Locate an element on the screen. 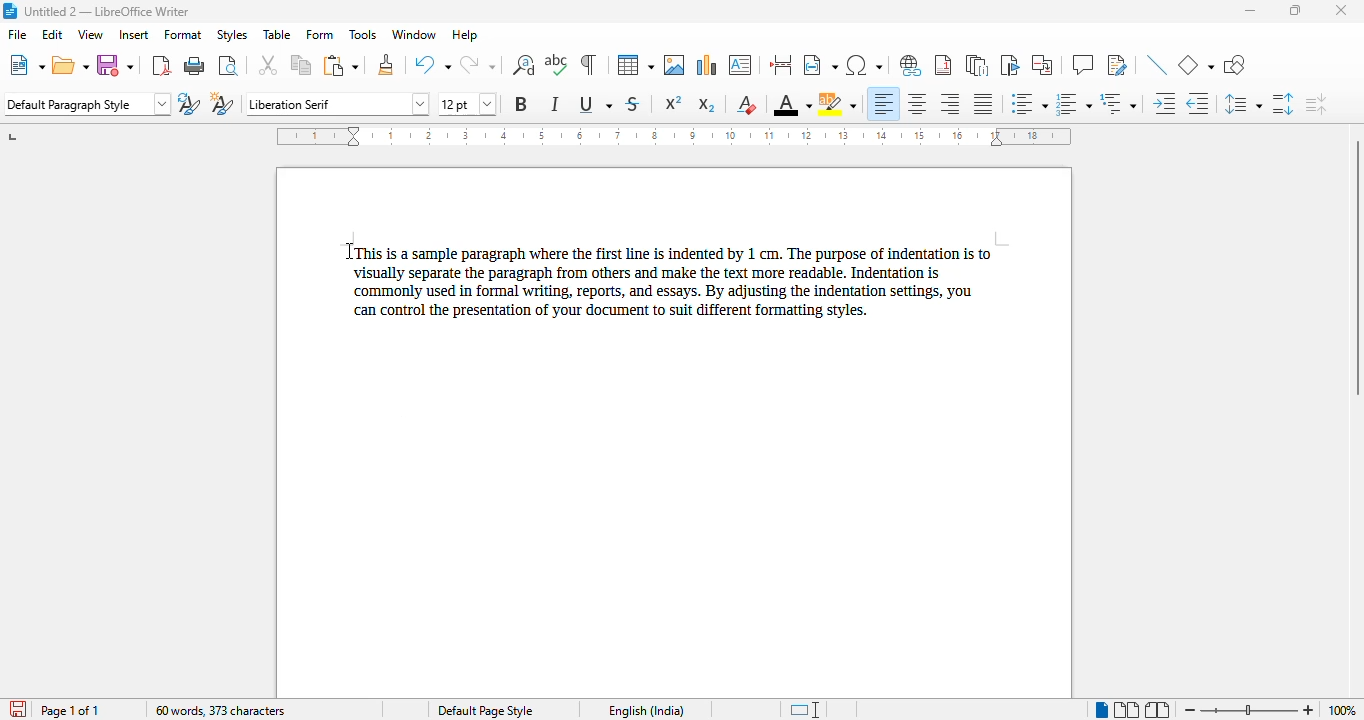  open is located at coordinates (71, 65).